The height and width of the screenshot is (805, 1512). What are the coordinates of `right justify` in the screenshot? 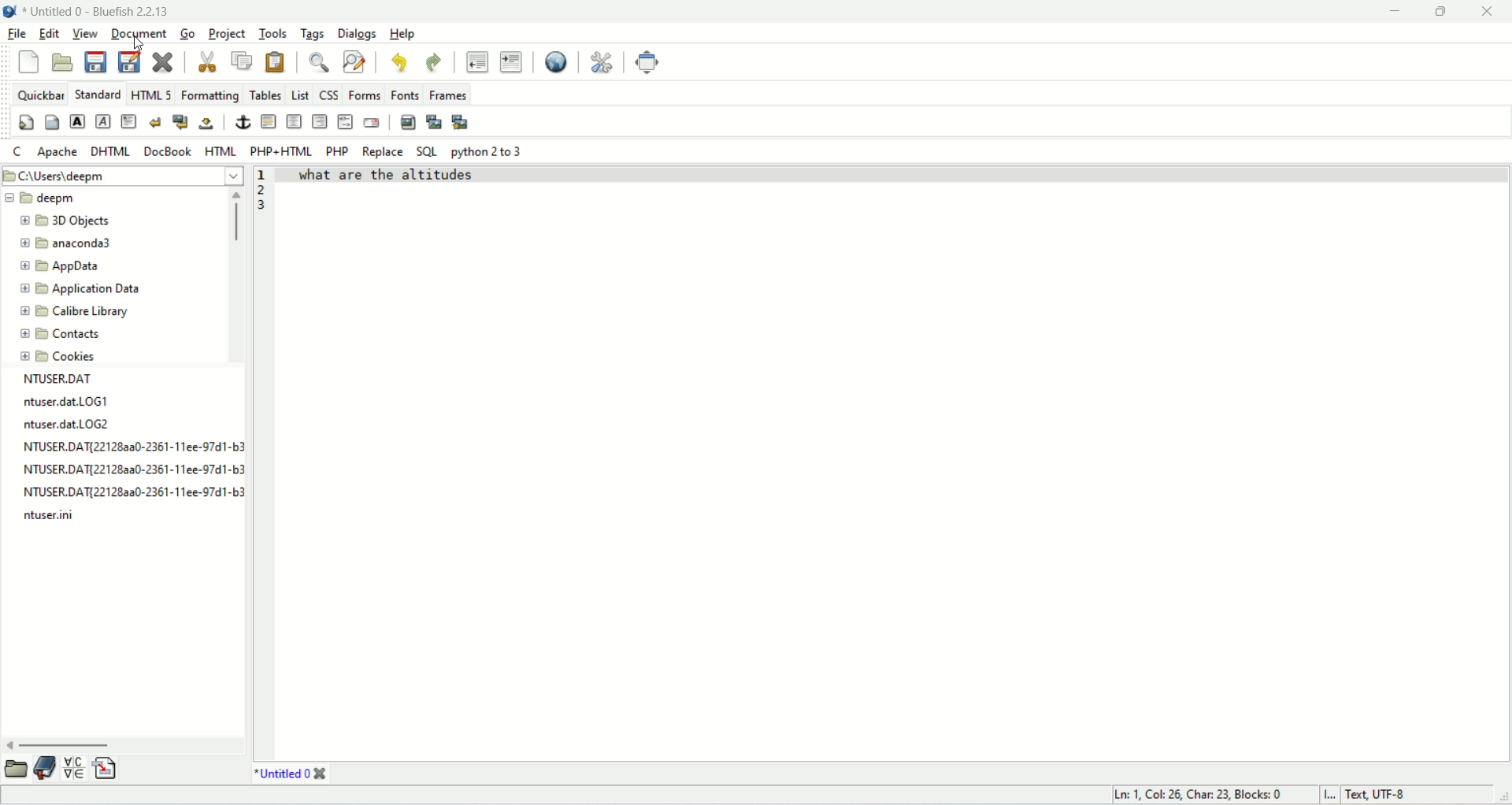 It's located at (321, 121).